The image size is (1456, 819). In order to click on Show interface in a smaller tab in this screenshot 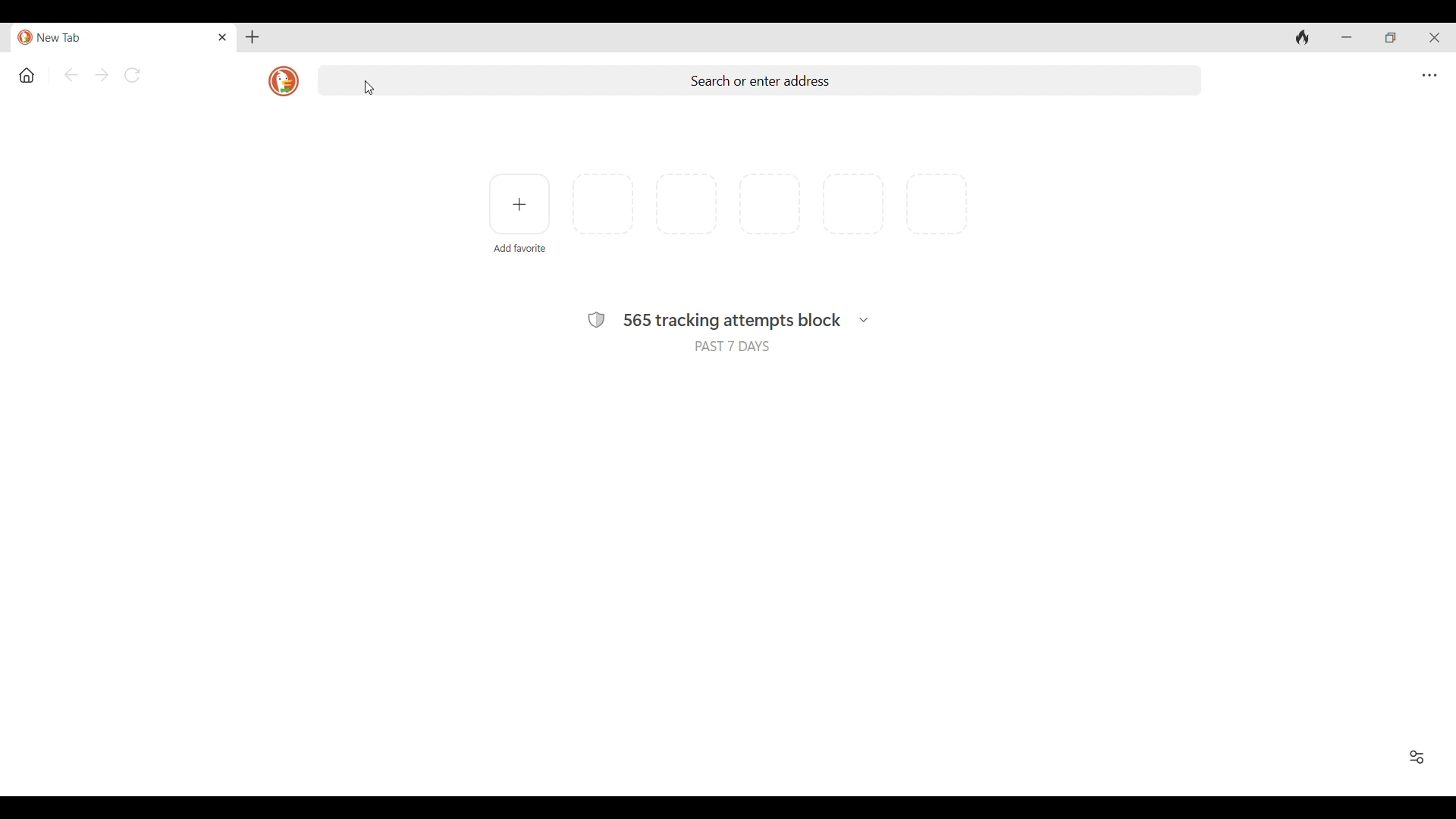, I will do `click(1391, 38)`.